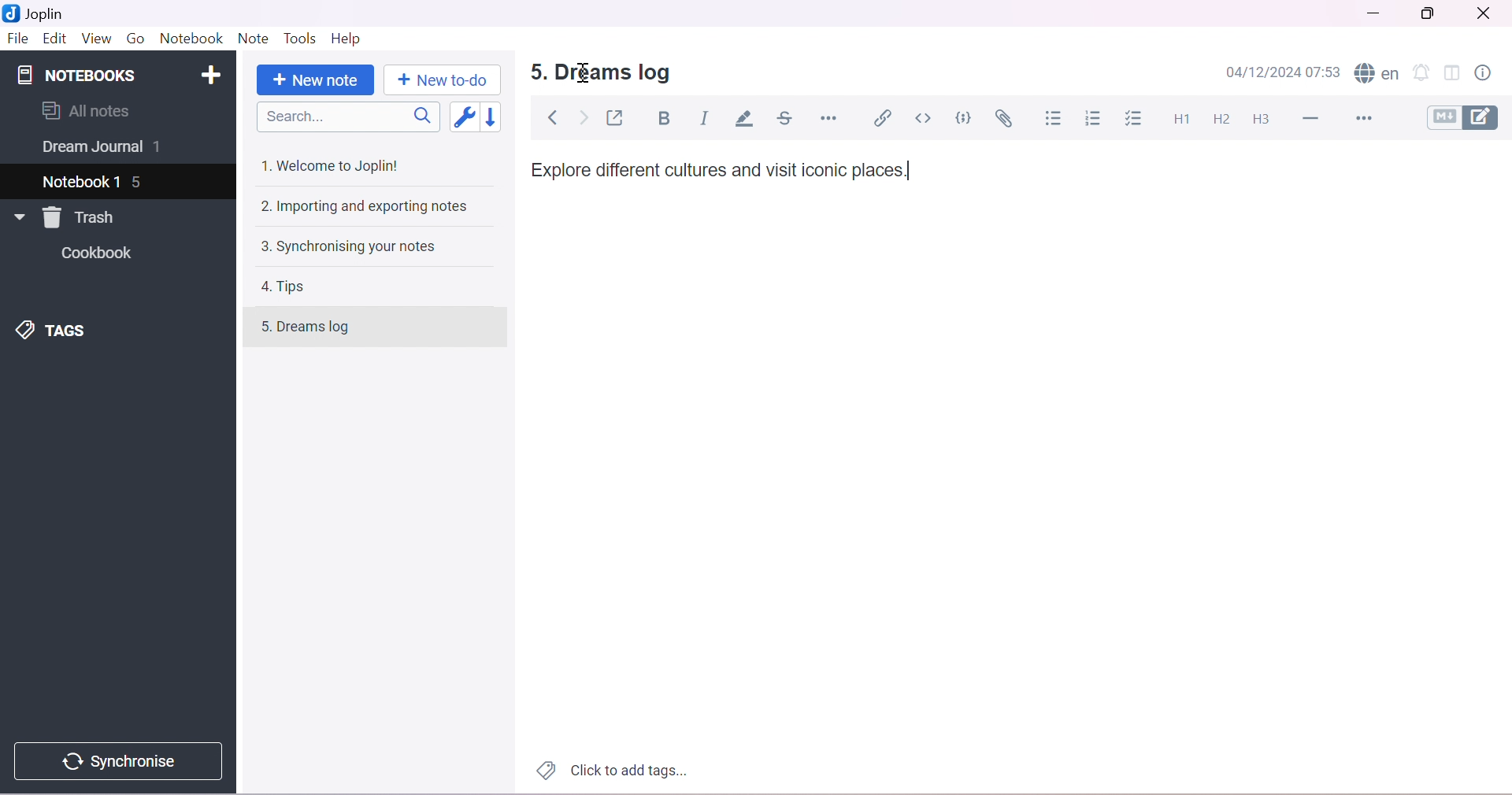  What do you see at coordinates (616, 73) in the screenshot?
I see `Dreams log` at bounding box center [616, 73].